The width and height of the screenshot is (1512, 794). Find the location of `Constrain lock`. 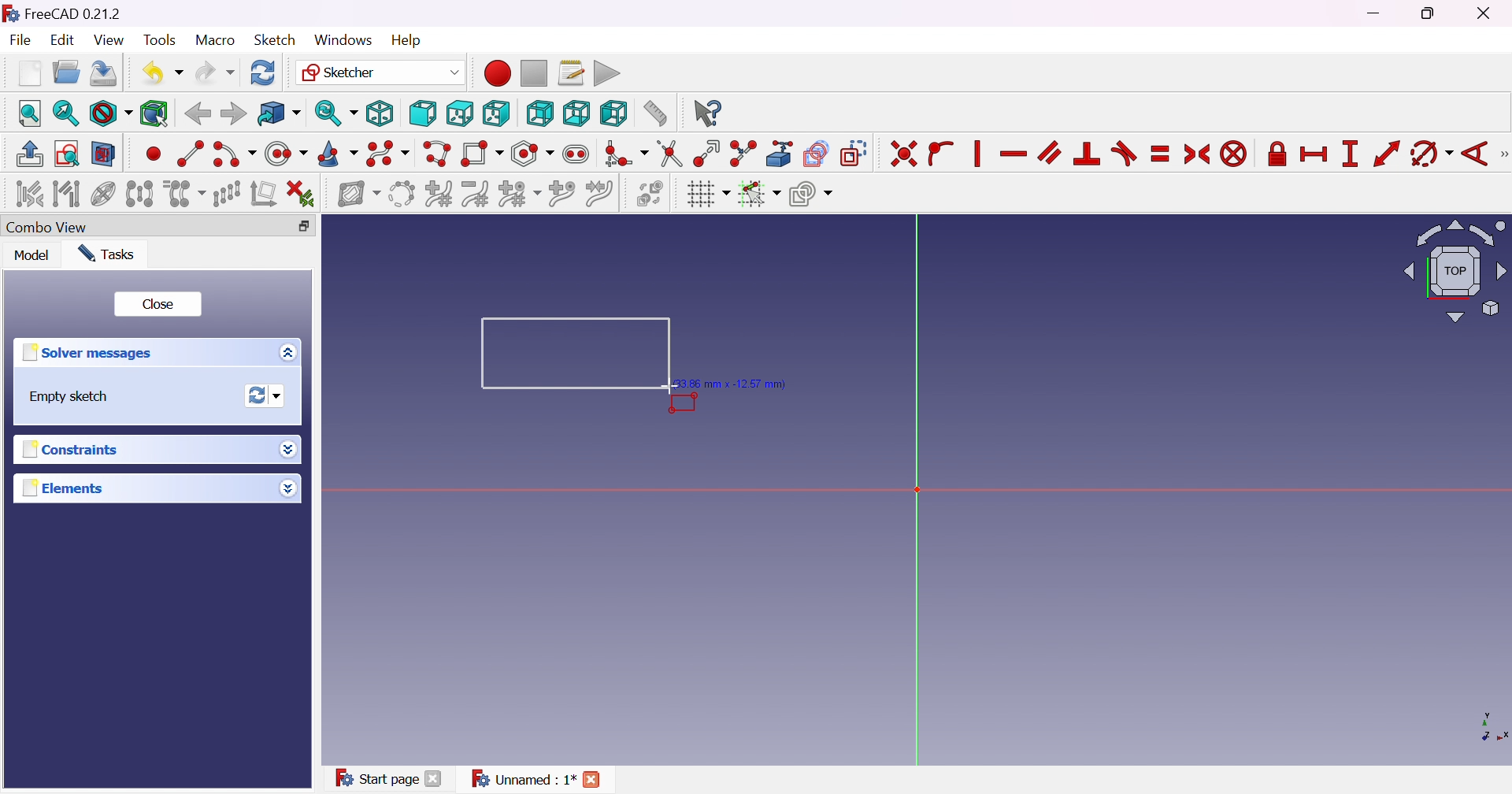

Constrain lock is located at coordinates (1275, 155).